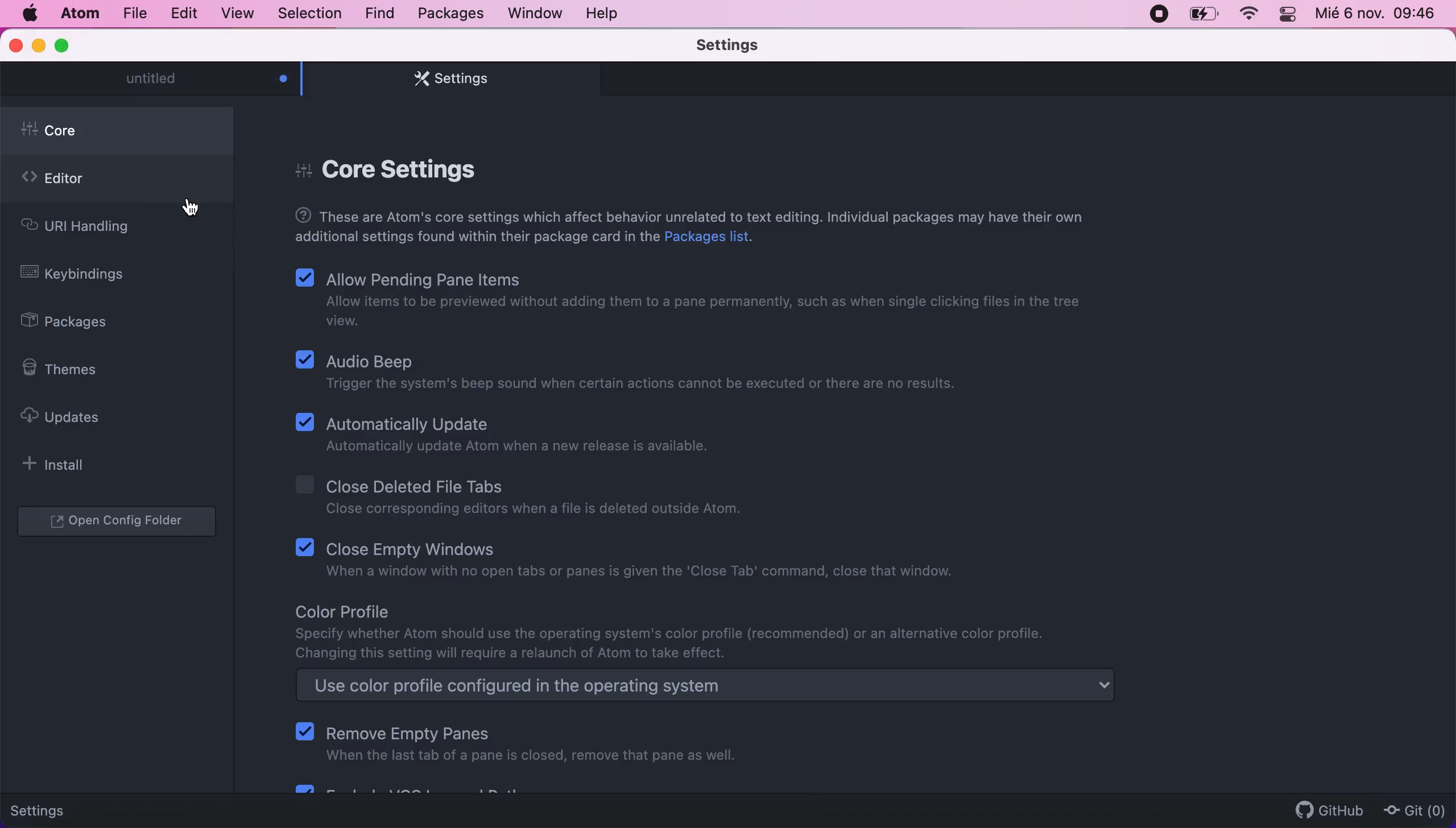  What do you see at coordinates (534, 14) in the screenshot?
I see `window` at bounding box center [534, 14].